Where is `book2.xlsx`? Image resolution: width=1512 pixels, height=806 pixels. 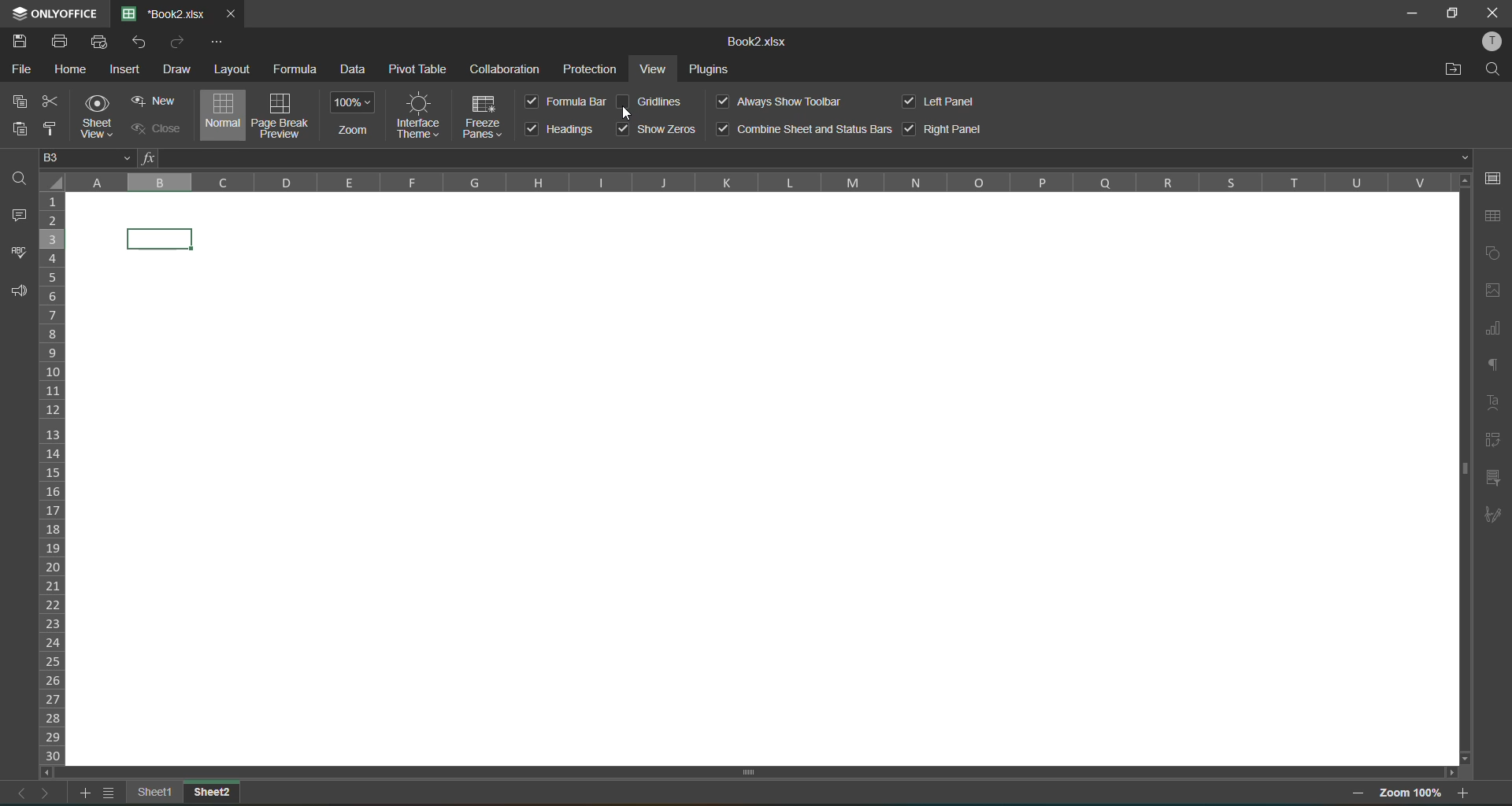 book2.xlsx is located at coordinates (165, 13).